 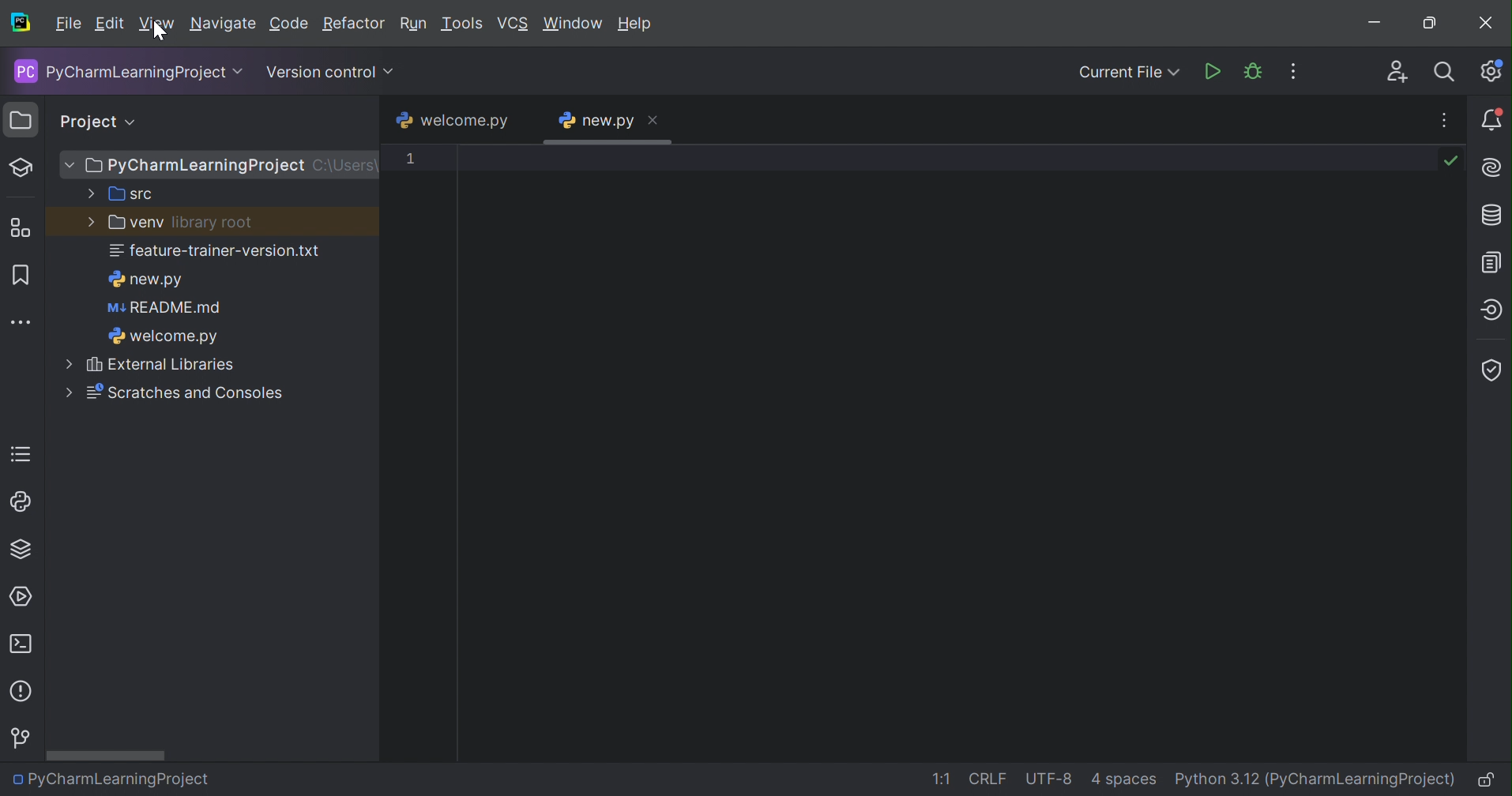 What do you see at coordinates (21, 24) in the screenshot?
I see `PyCharm icon` at bounding box center [21, 24].